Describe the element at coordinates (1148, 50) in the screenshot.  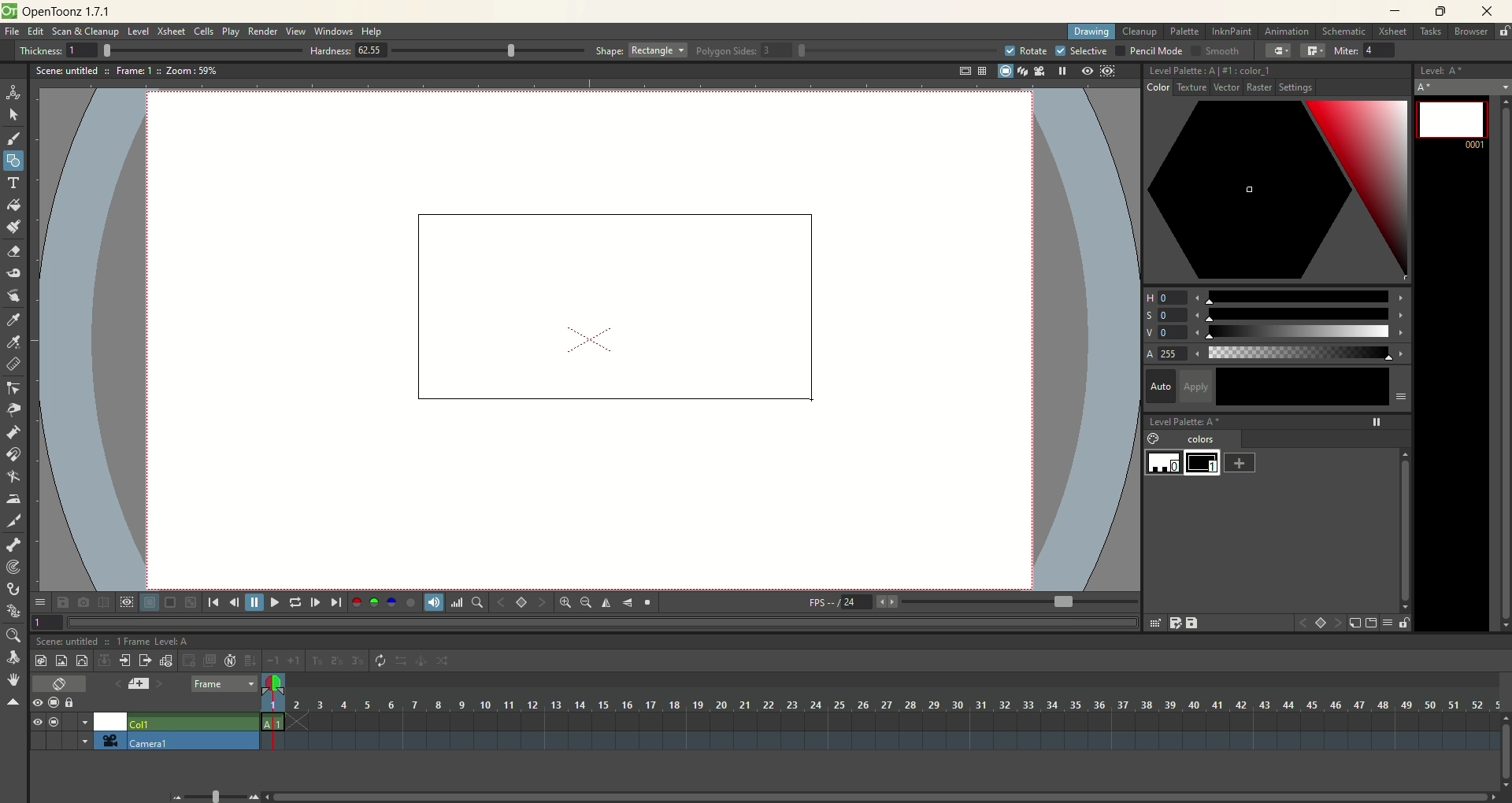
I see `pencil mode` at that location.